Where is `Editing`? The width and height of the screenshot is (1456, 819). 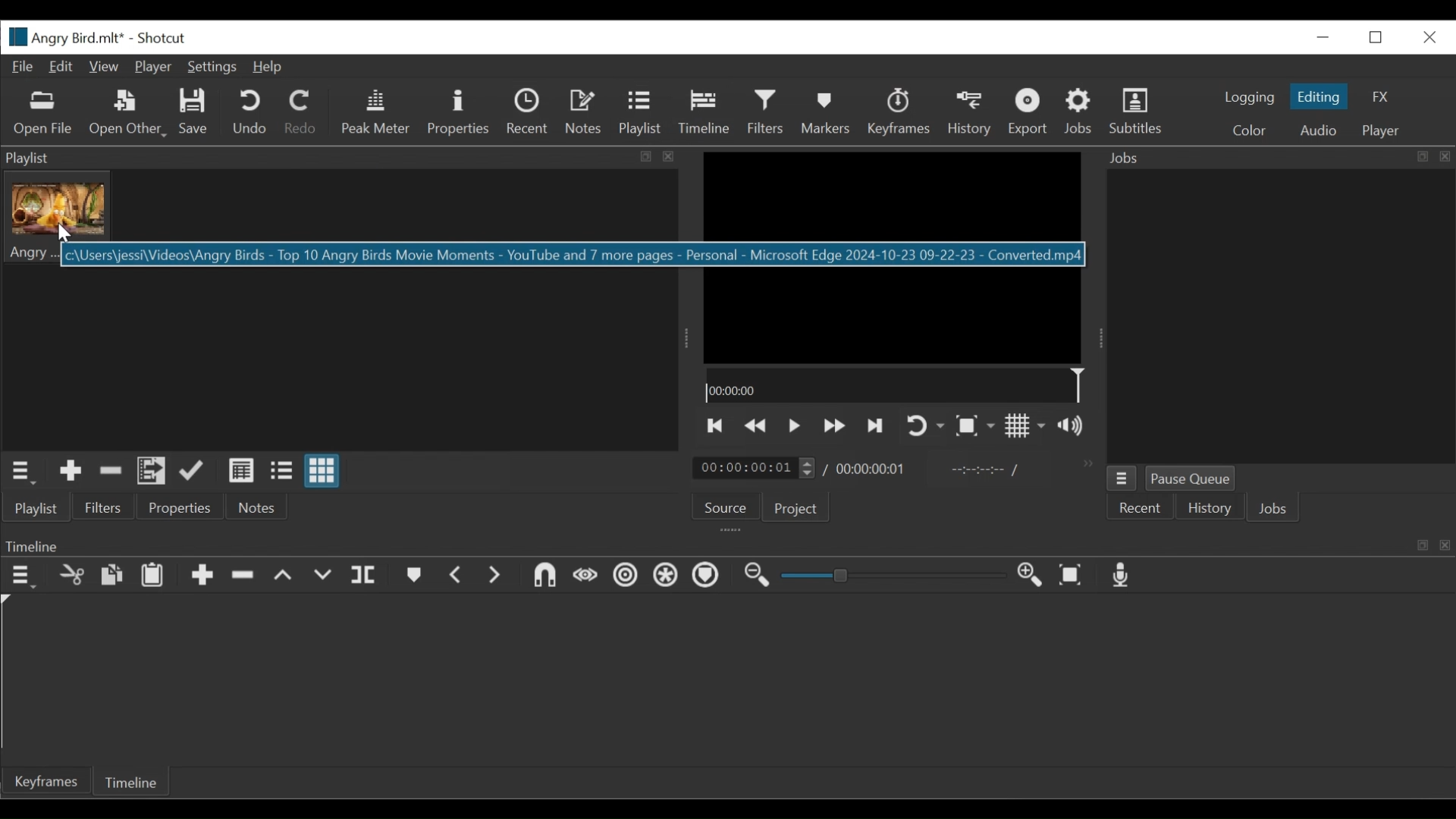 Editing is located at coordinates (1319, 96).